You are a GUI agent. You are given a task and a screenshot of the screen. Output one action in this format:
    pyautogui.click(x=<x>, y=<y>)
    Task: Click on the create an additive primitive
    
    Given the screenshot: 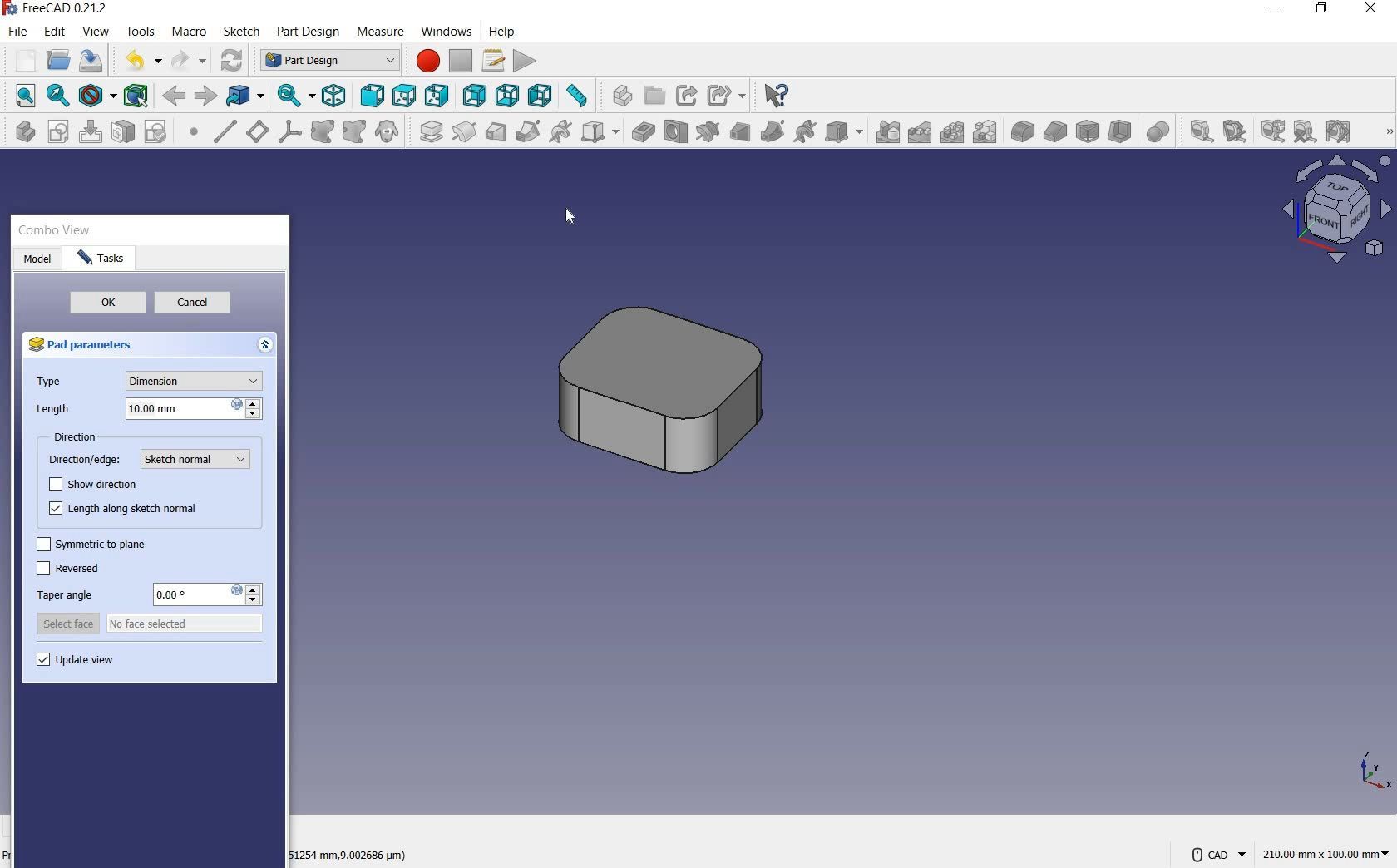 What is the action you would take?
    pyautogui.click(x=598, y=132)
    